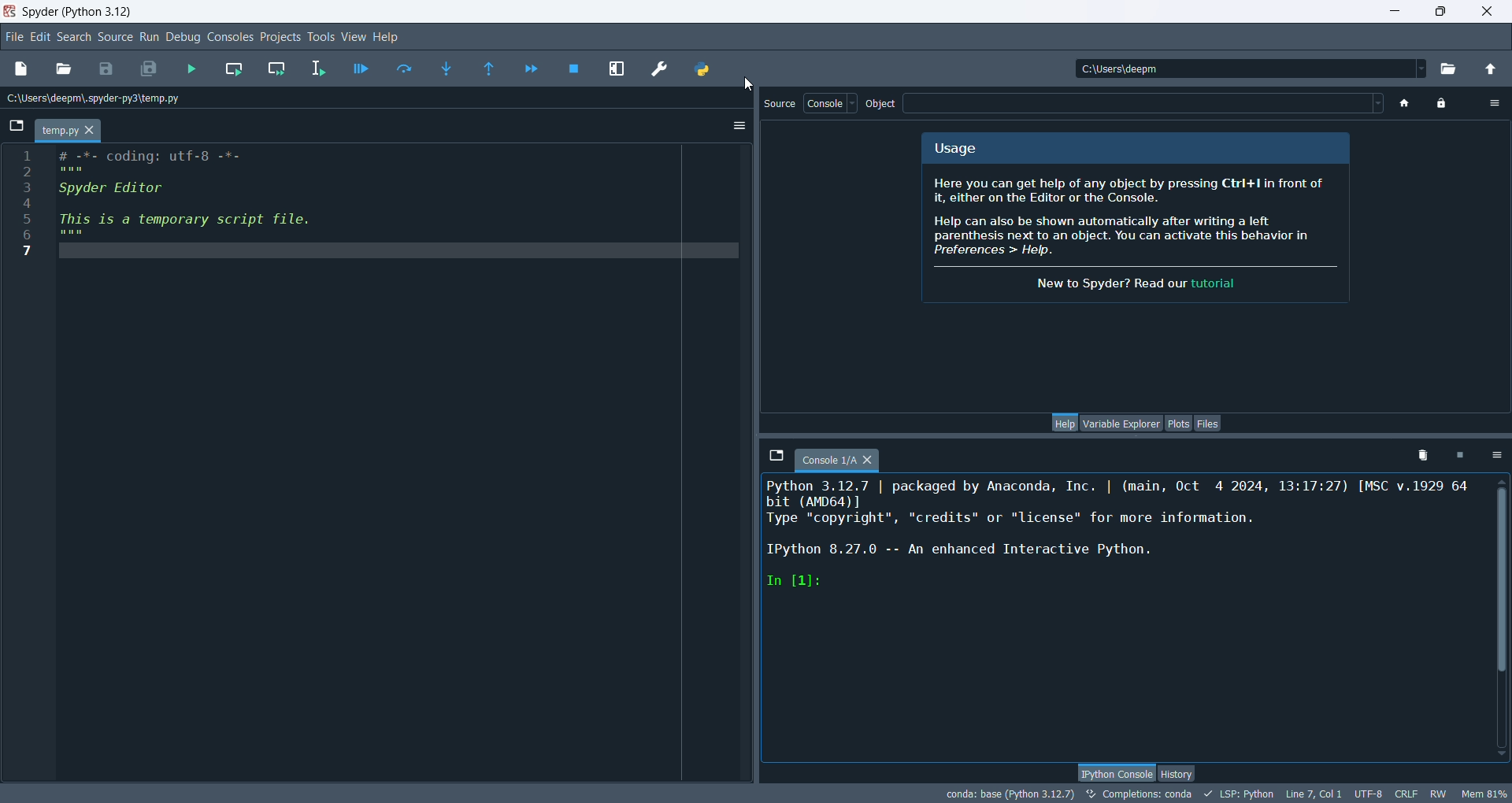  What do you see at coordinates (1141, 104) in the screenshot?
I see `blank space` at bounding box center [1141, 104].